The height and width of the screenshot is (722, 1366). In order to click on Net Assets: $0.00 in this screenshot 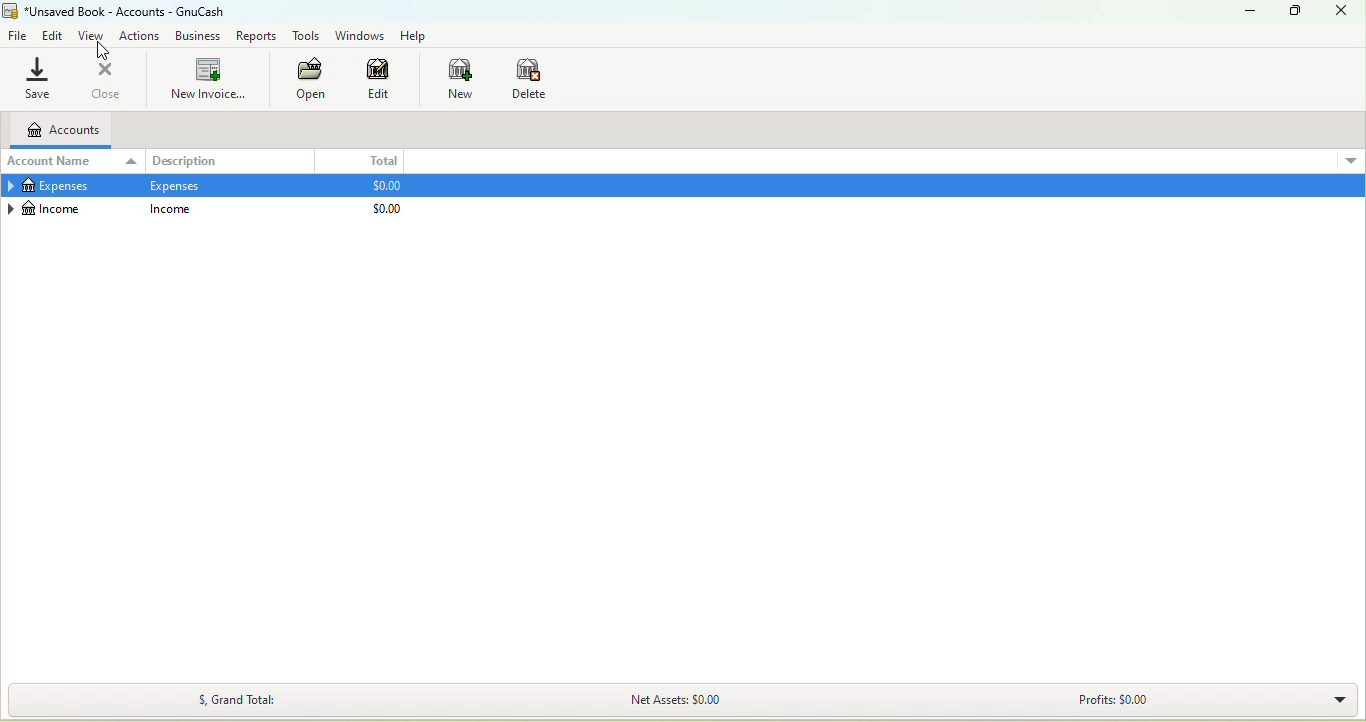, I will do `click(683, 702)`.